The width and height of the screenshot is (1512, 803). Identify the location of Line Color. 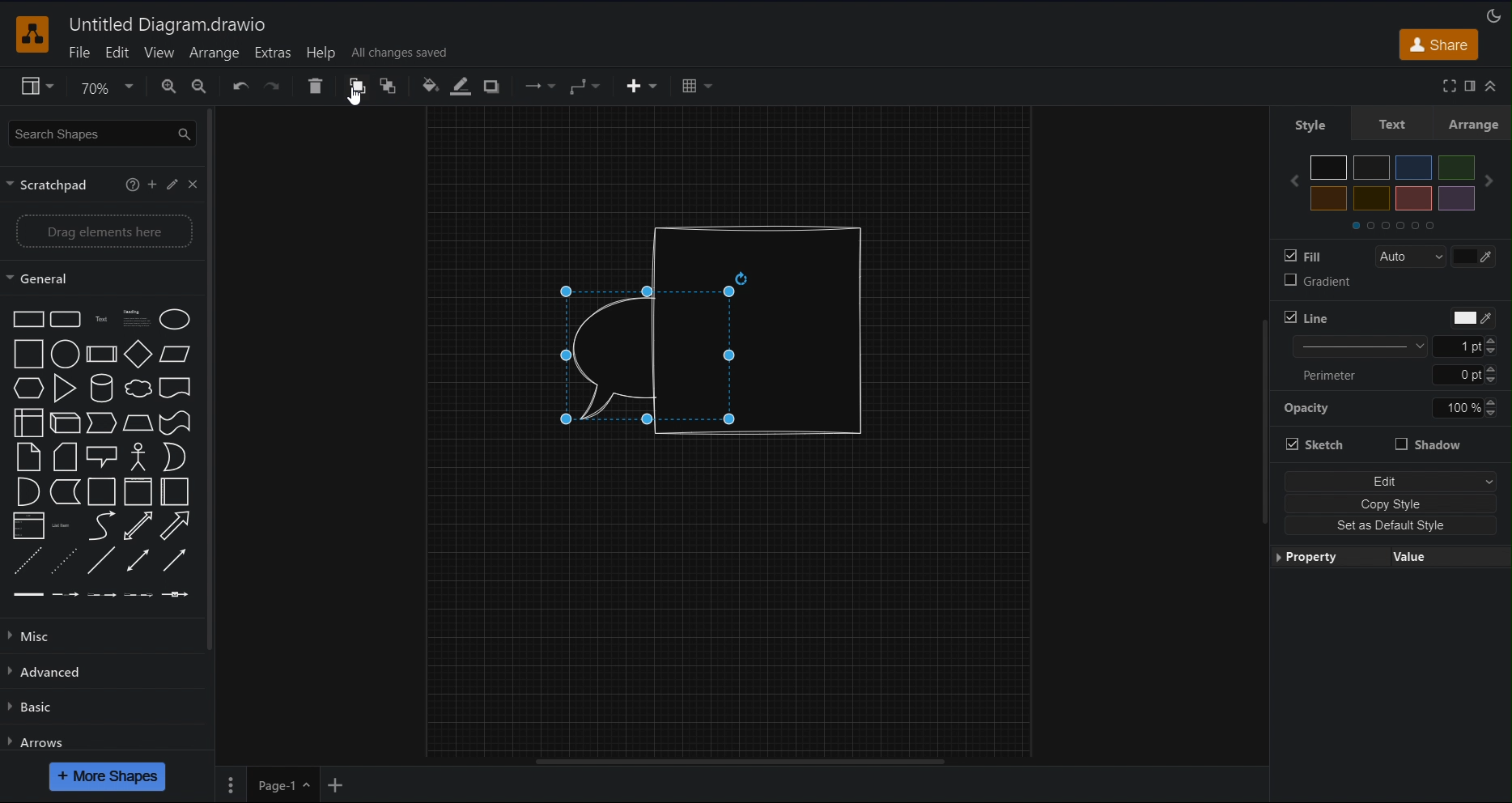
(461, 86).